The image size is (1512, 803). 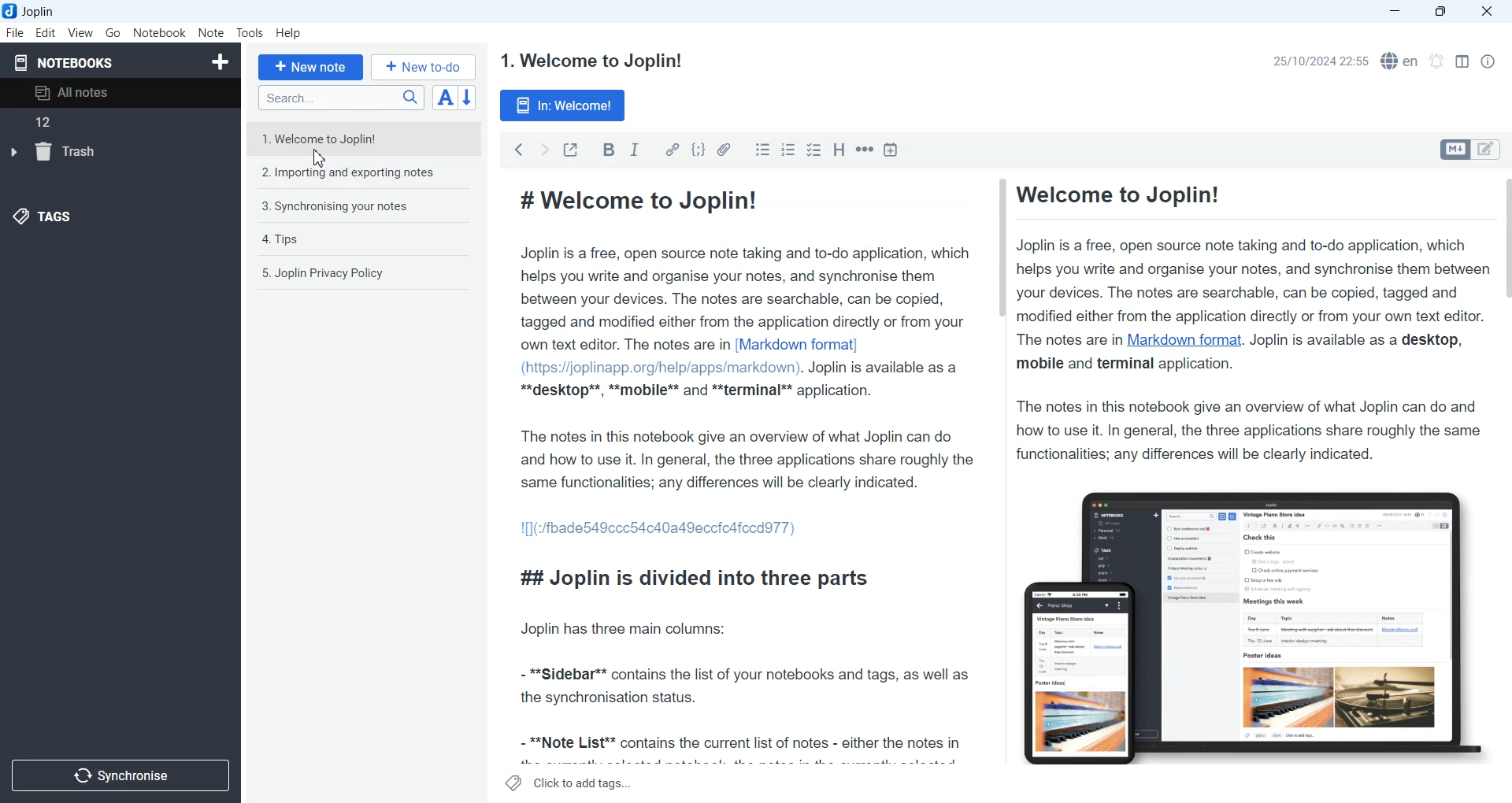 I want to click on Click to add tags, so click(x=569, y=783).